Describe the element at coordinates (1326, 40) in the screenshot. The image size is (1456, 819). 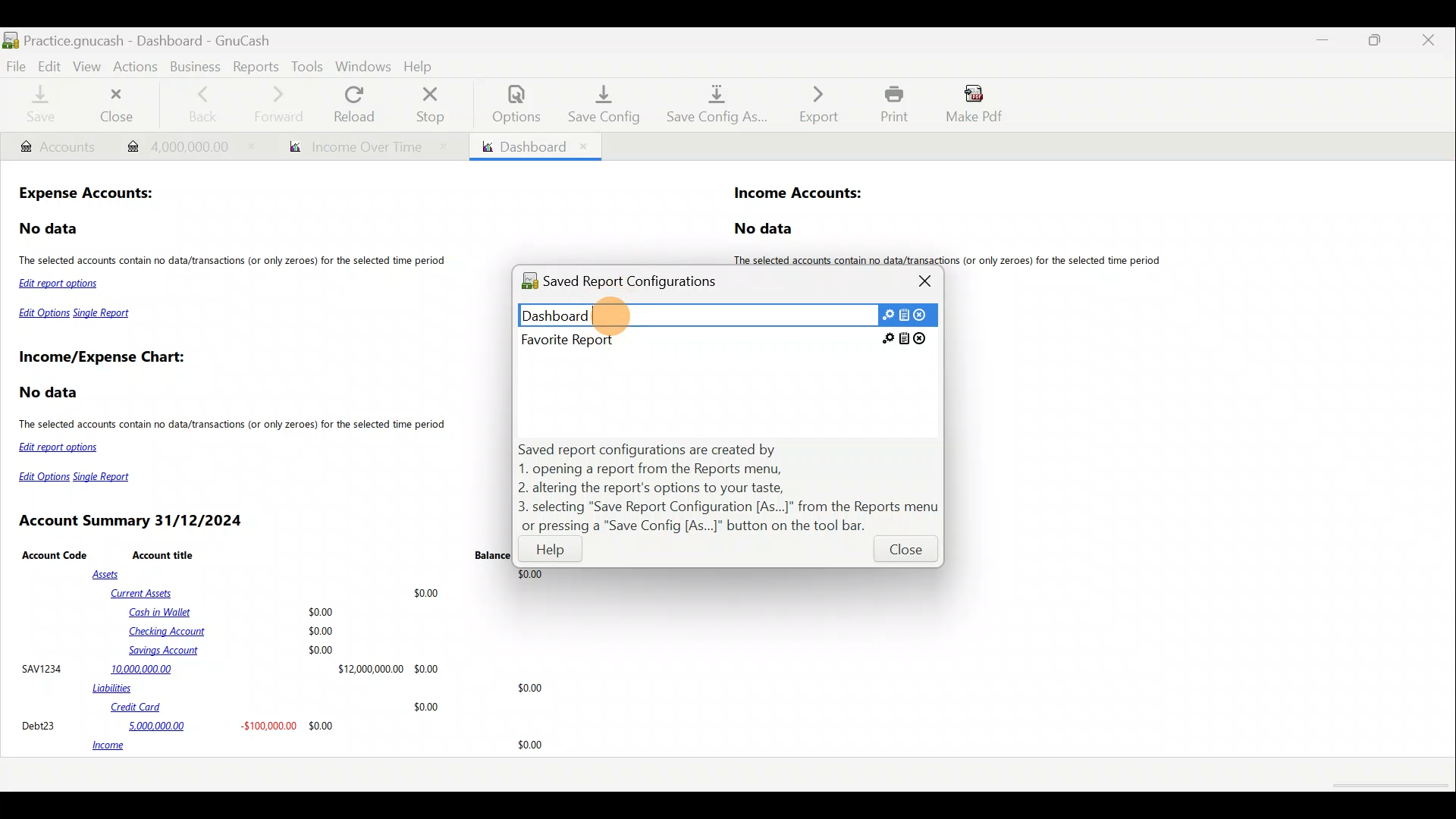
I see `Minimise` at that location.